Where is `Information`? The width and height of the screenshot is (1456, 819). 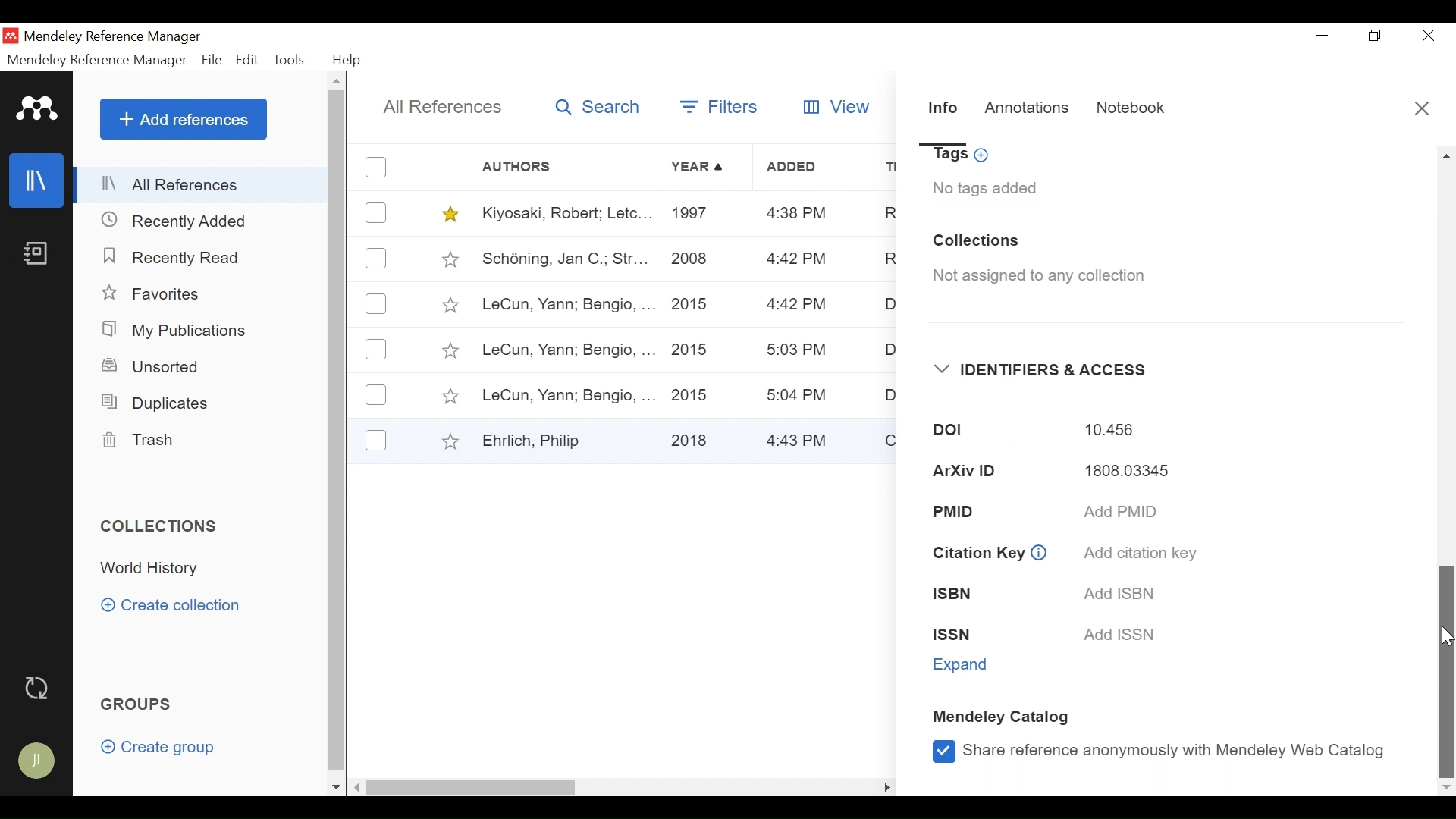
Information is located at coordinates (943, 113).